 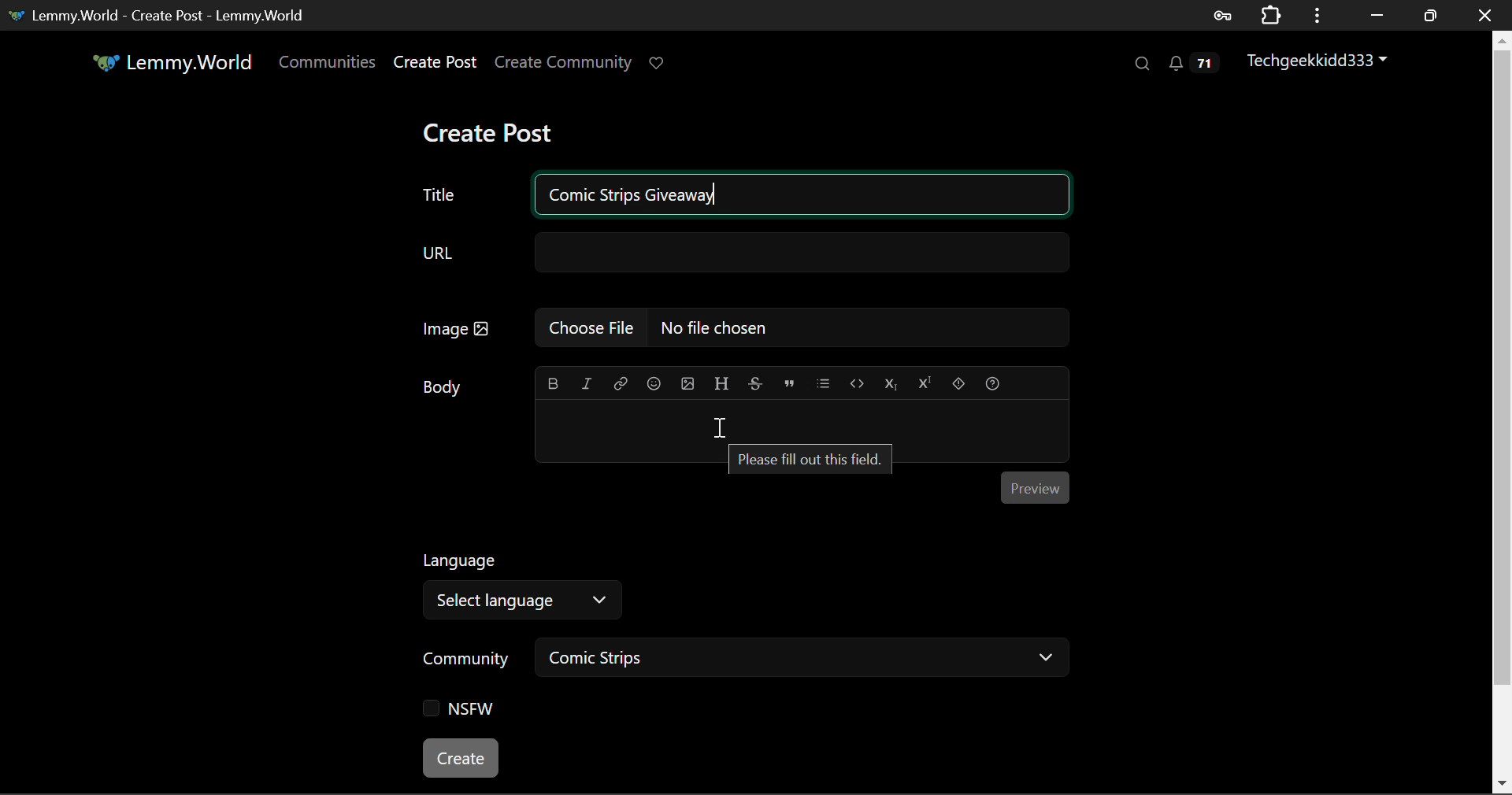 What do you see at coordinates (992, 383) in the screenshot?
I see `formatting help` at bounding box center [992, 383].